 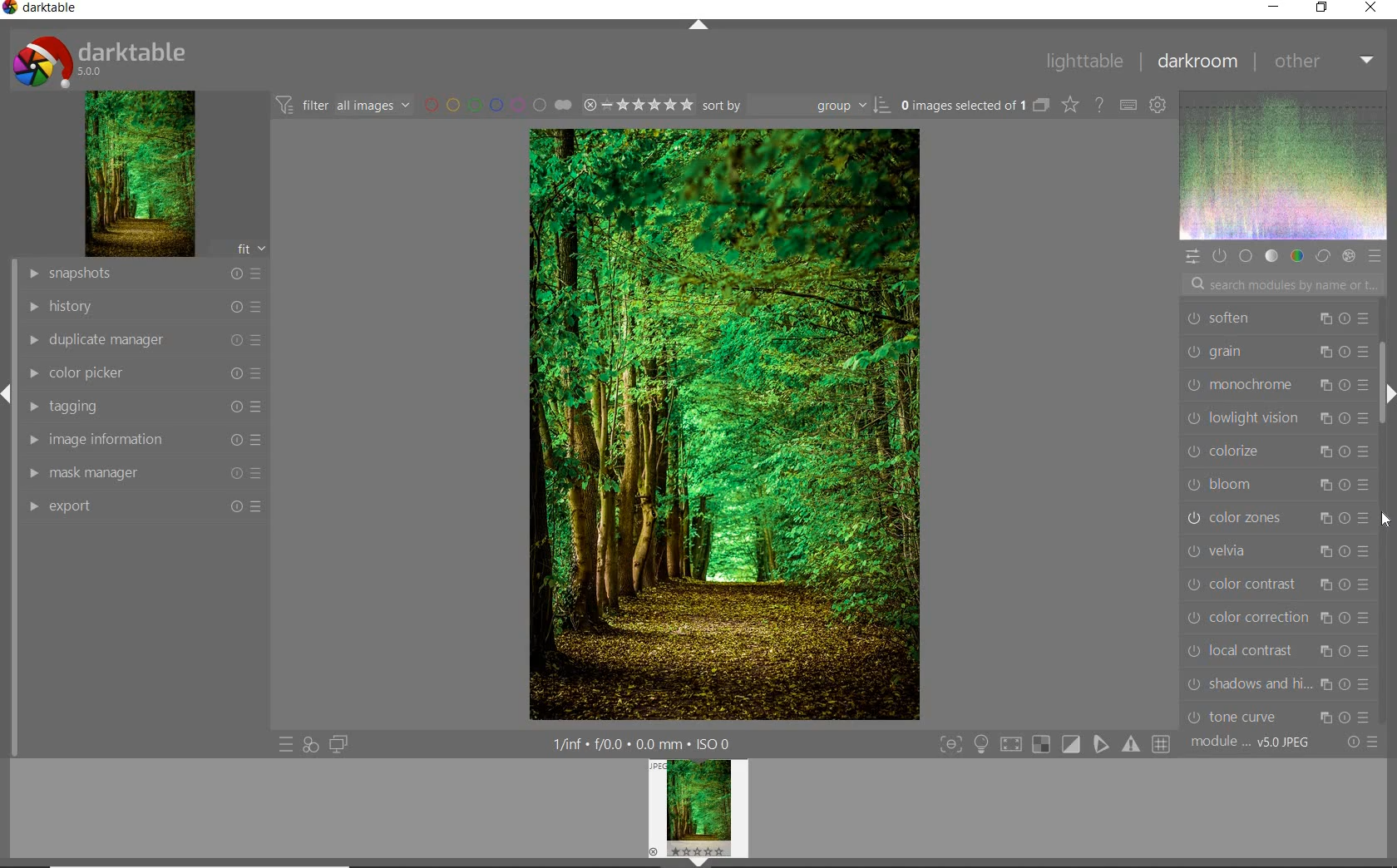 I want to click on FILTER BY IMAGE COLOR LABEL, so click(x=495, y=103).